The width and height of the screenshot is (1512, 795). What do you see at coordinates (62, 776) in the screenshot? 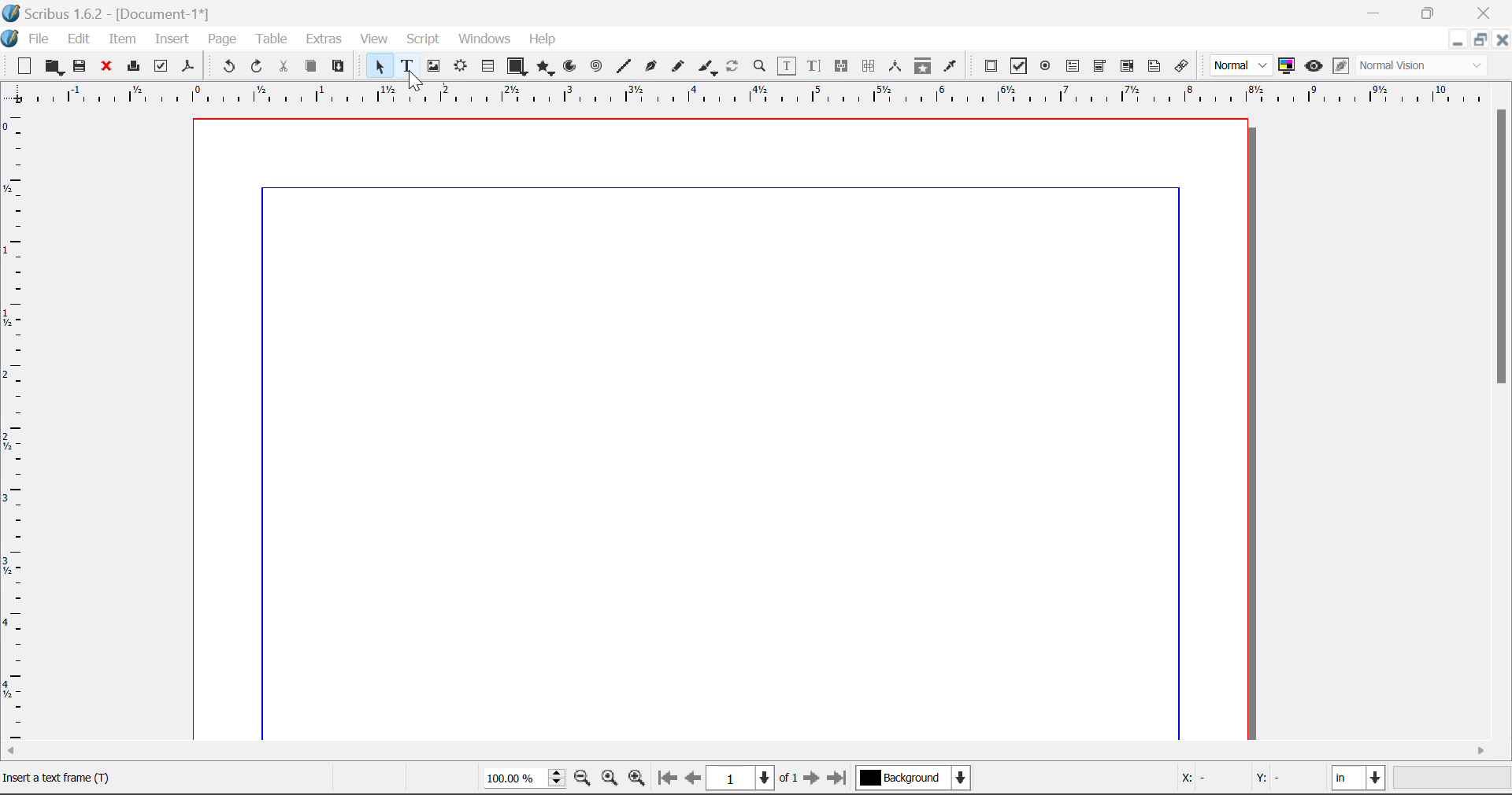
I see `Insert a text frame (T)` at bounding box center [62, 776].